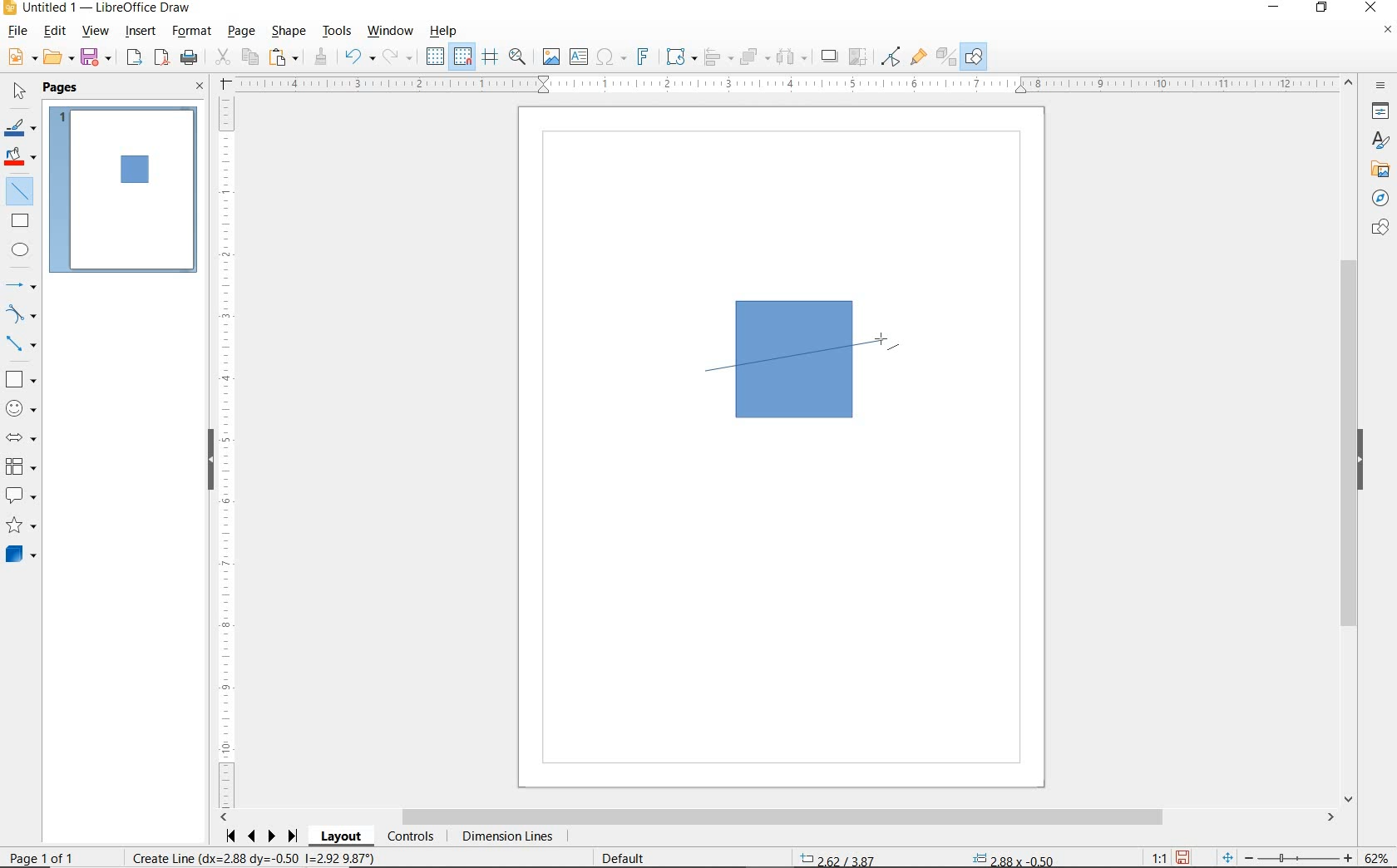 Image resolution: width=1397 pixels, height=868 pixels. Describe the element at coordinates (249, 57) in the screenshot. I see `COPY` at that location.